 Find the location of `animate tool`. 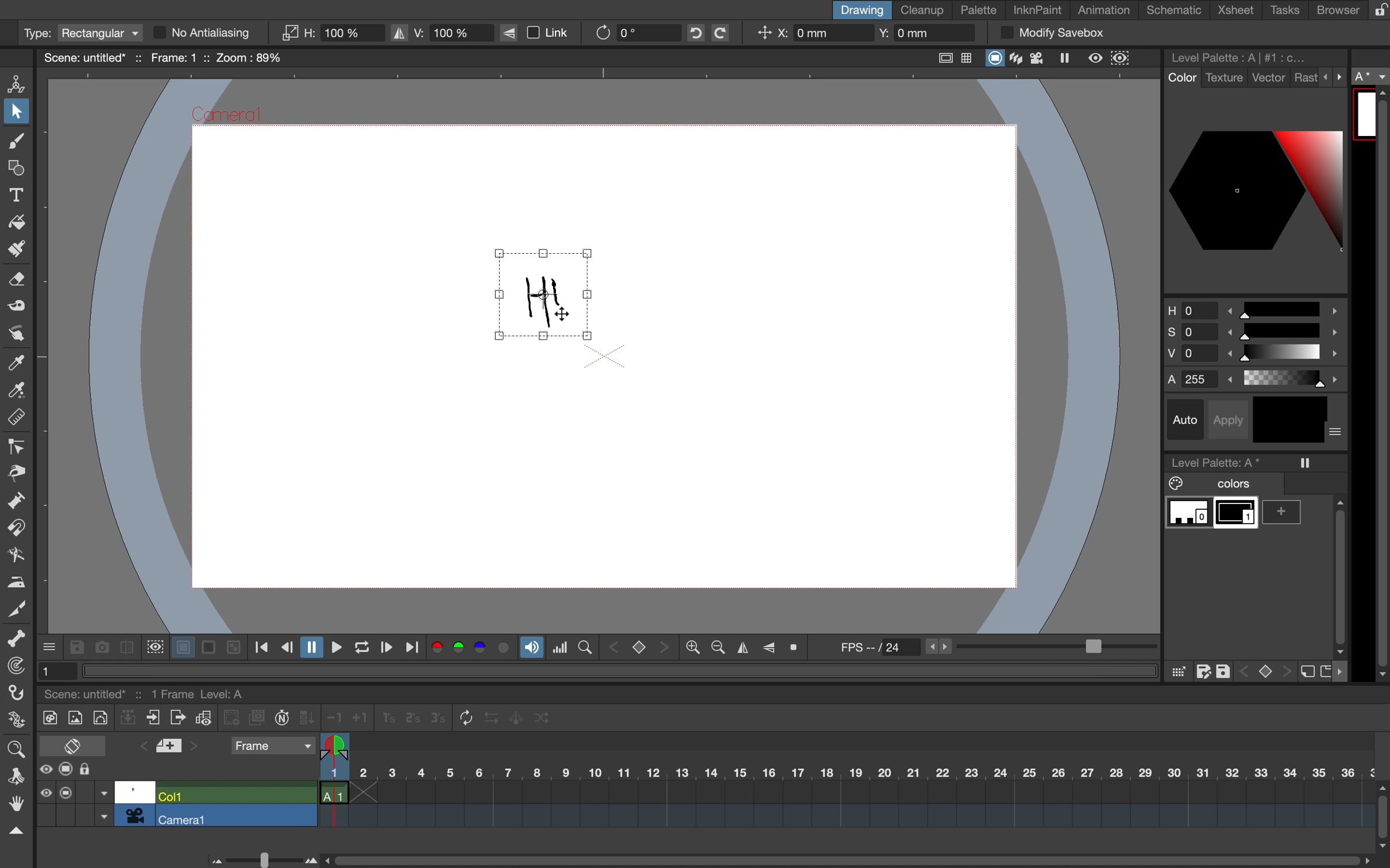

animate tool is located at coordinates (20, 83).